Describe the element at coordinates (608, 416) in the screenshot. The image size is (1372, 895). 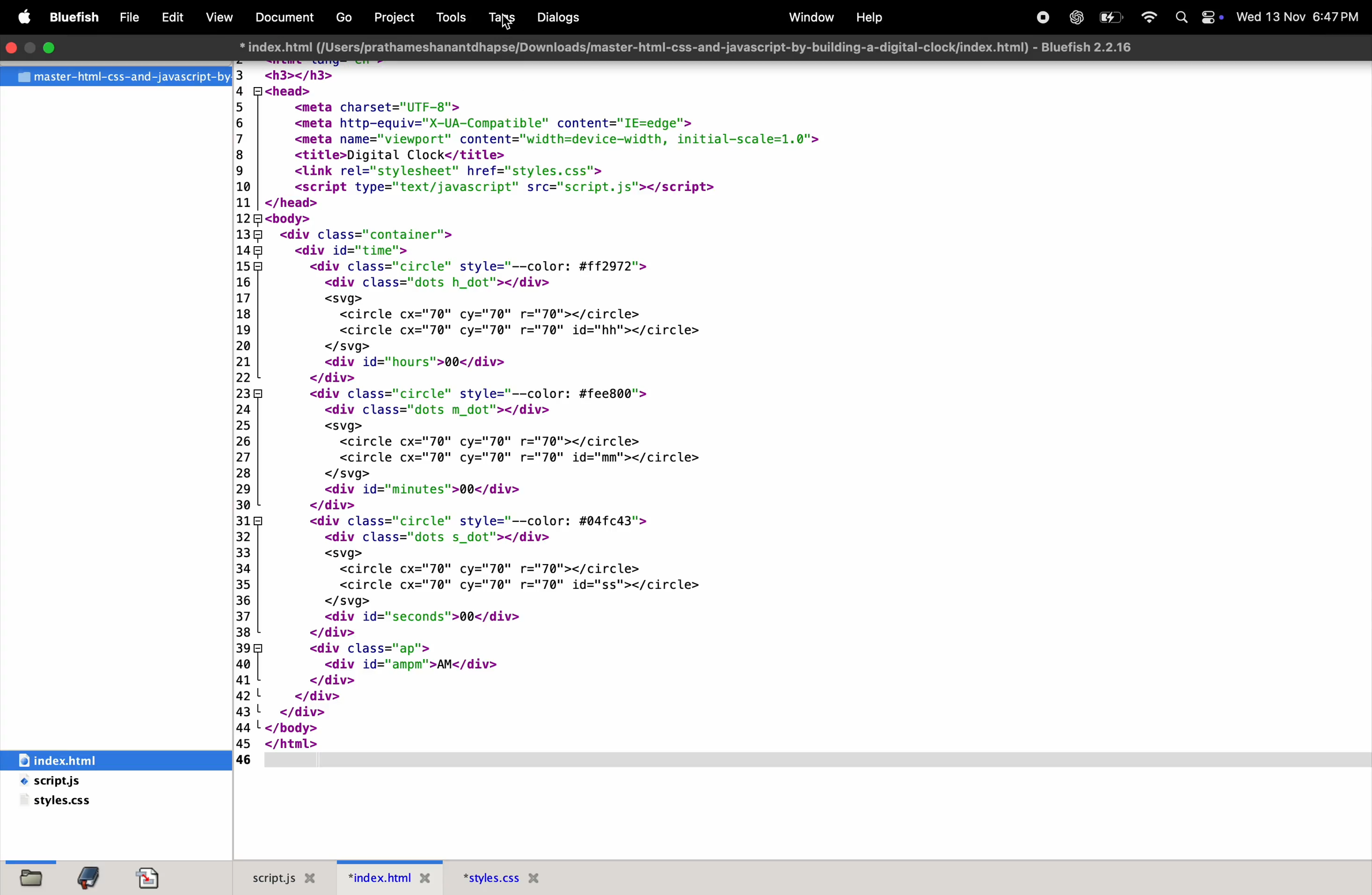
I see `code block` at that location.